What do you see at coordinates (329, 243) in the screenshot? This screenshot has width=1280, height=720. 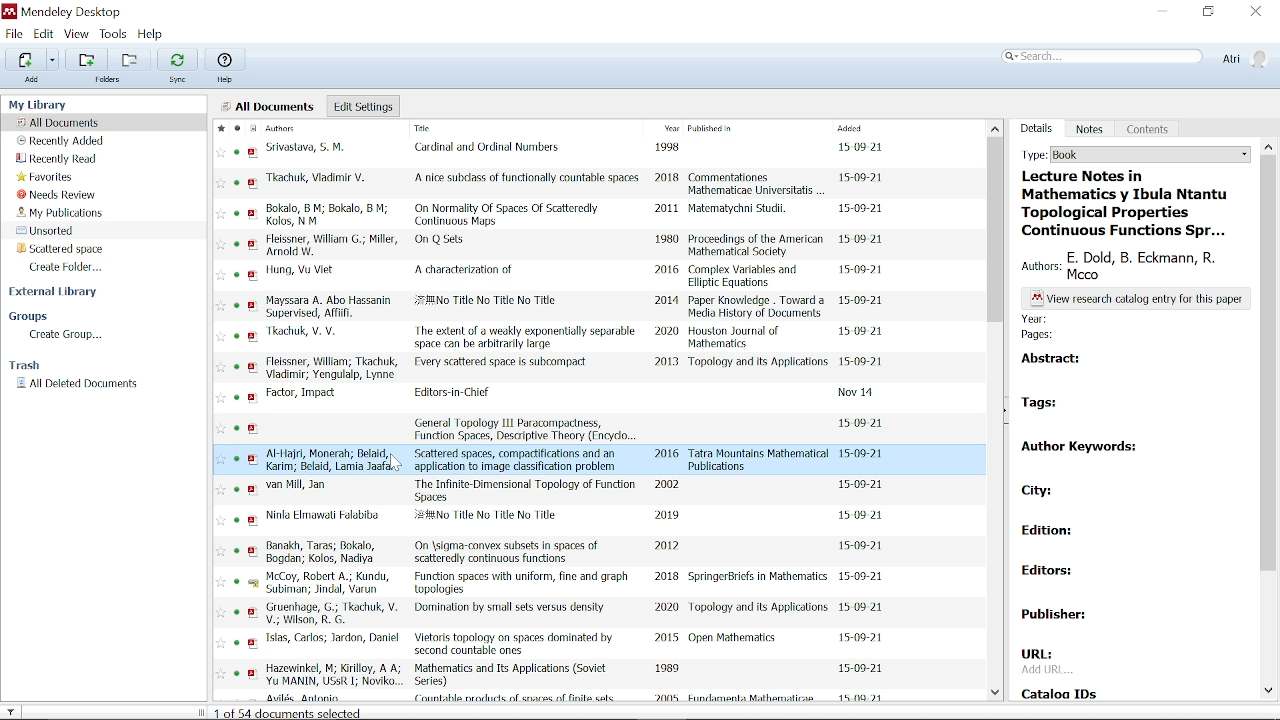 I see `authors` at bounding box center [329, 243].